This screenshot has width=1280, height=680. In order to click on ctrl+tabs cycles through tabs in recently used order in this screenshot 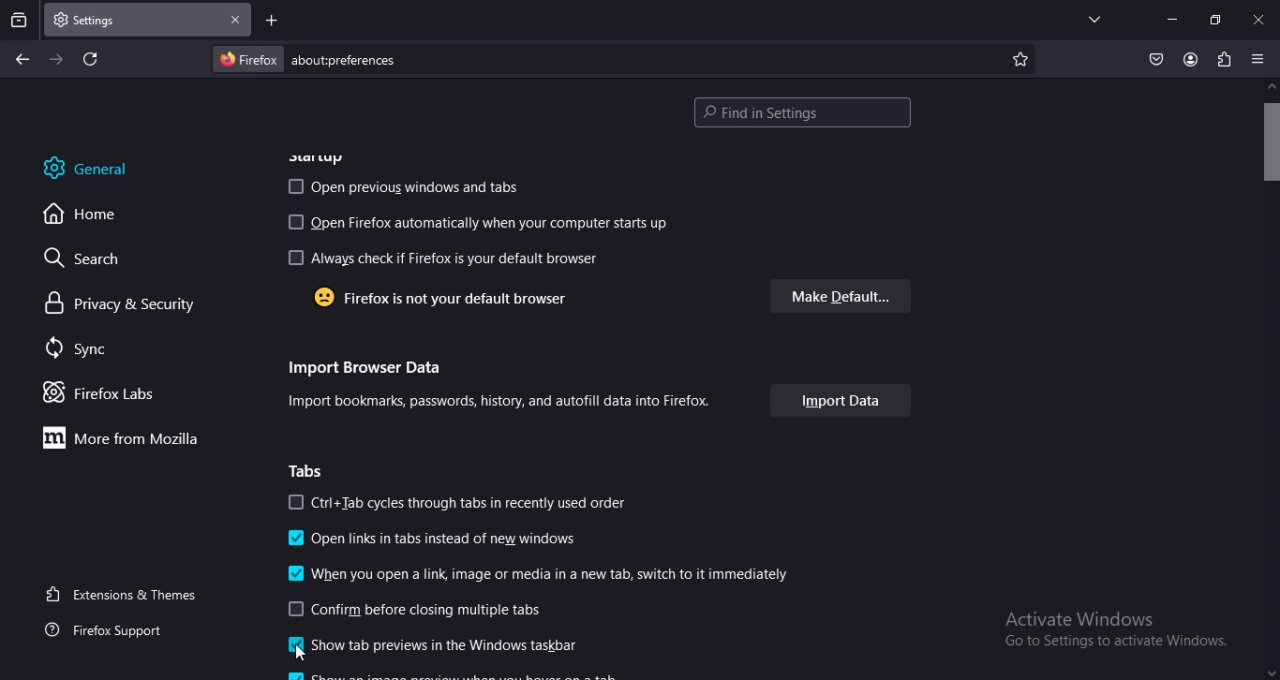, I will do `click(468, 500)`.